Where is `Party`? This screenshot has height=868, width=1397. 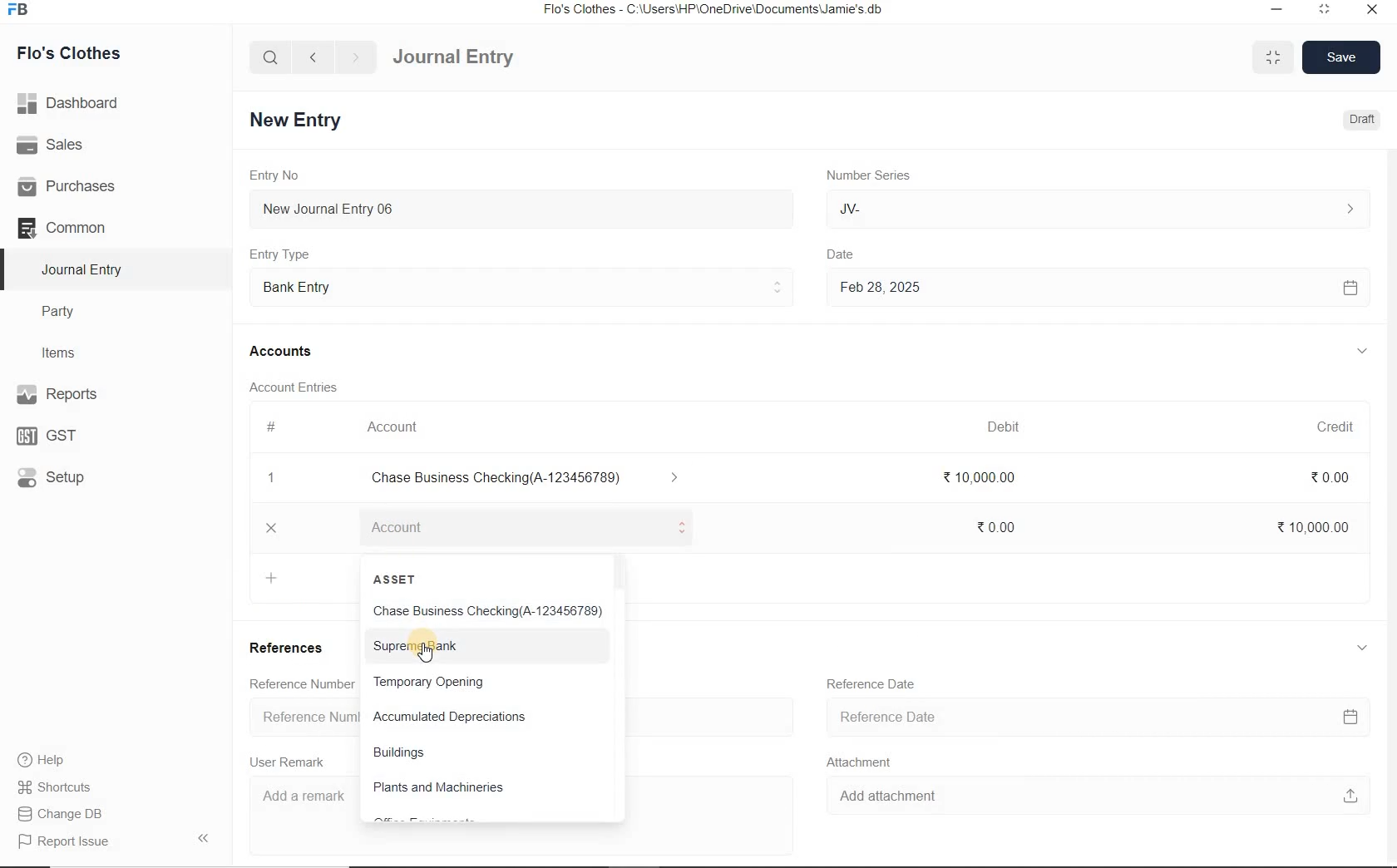 Party is located at coordinates (70, 312).